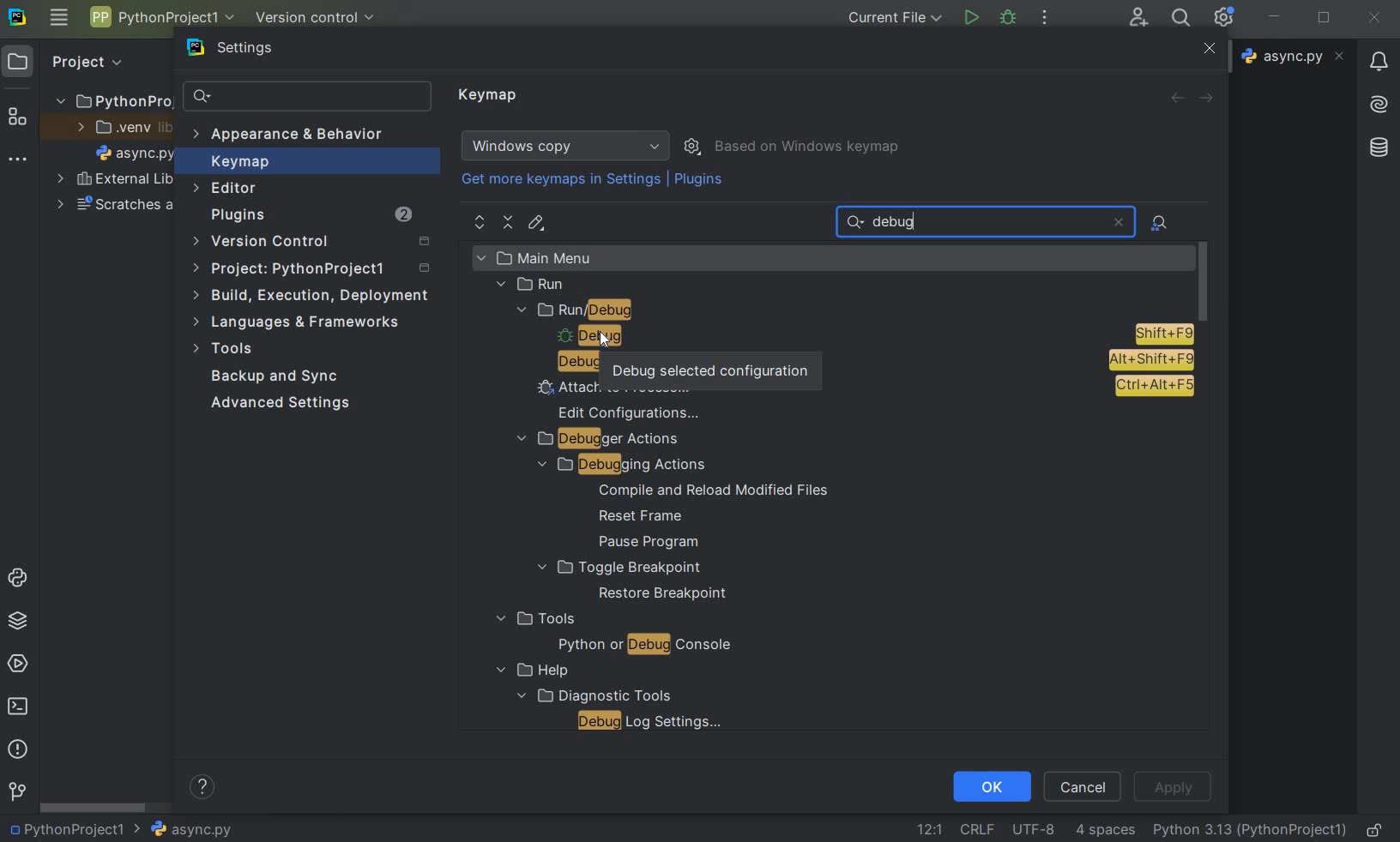 The image size is (1400, 842). I want to click on edit shortcut, so click(535, 223).